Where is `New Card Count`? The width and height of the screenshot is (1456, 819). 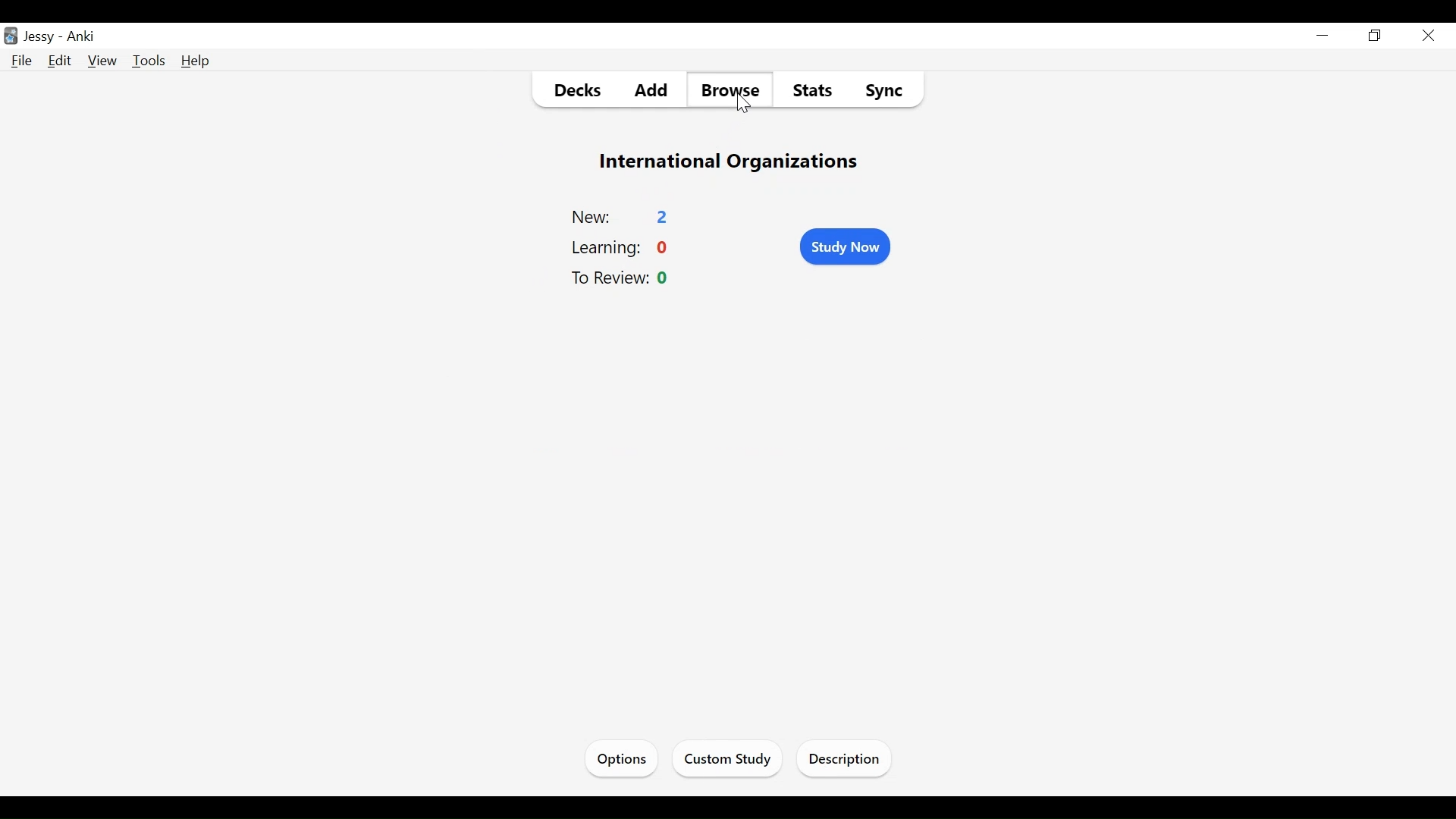 New Card Count is located at coordinates (622, 215).